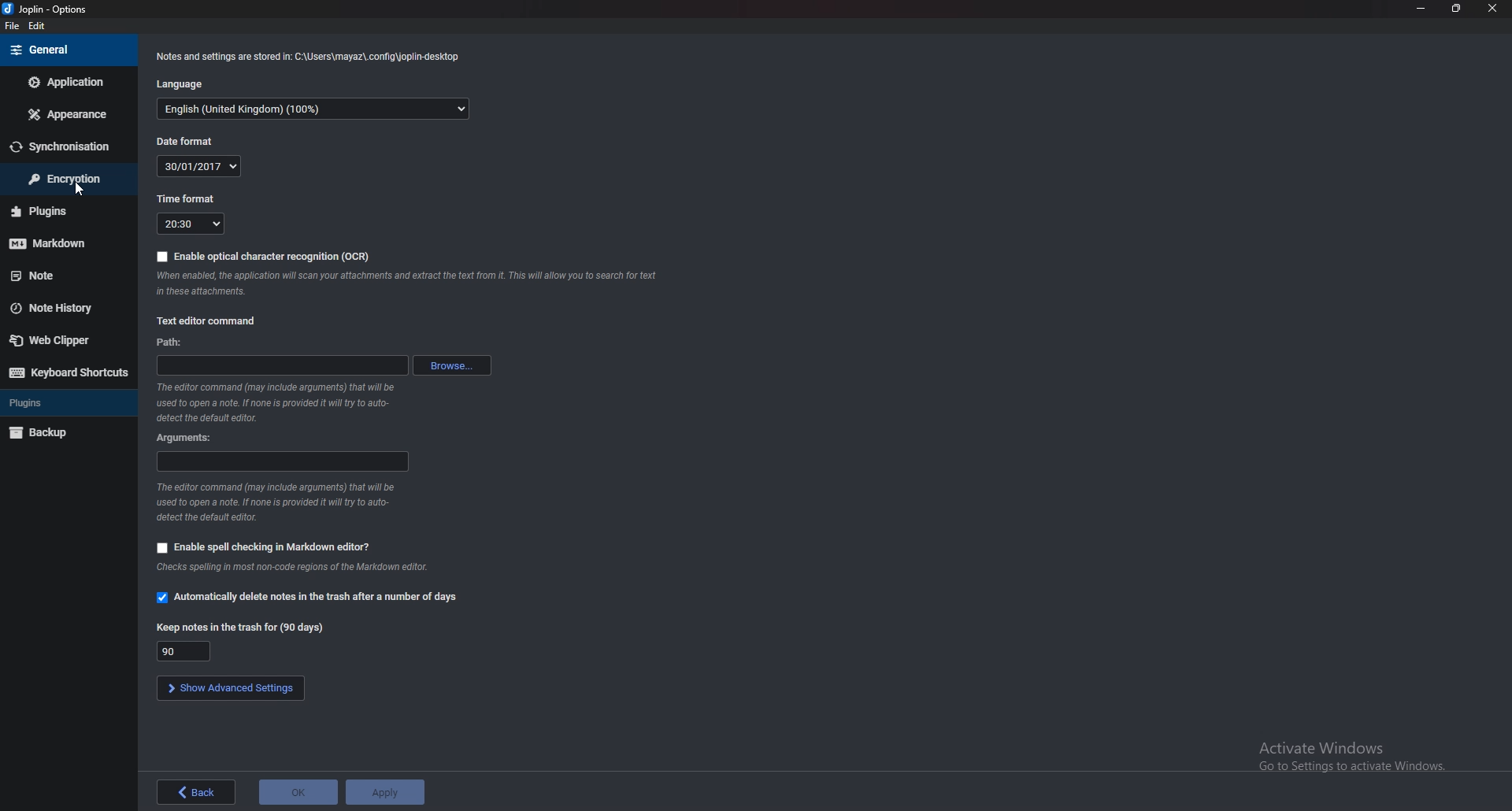 This screenshot has width=1512, height=811. I want to click on file, so click(11, 25).